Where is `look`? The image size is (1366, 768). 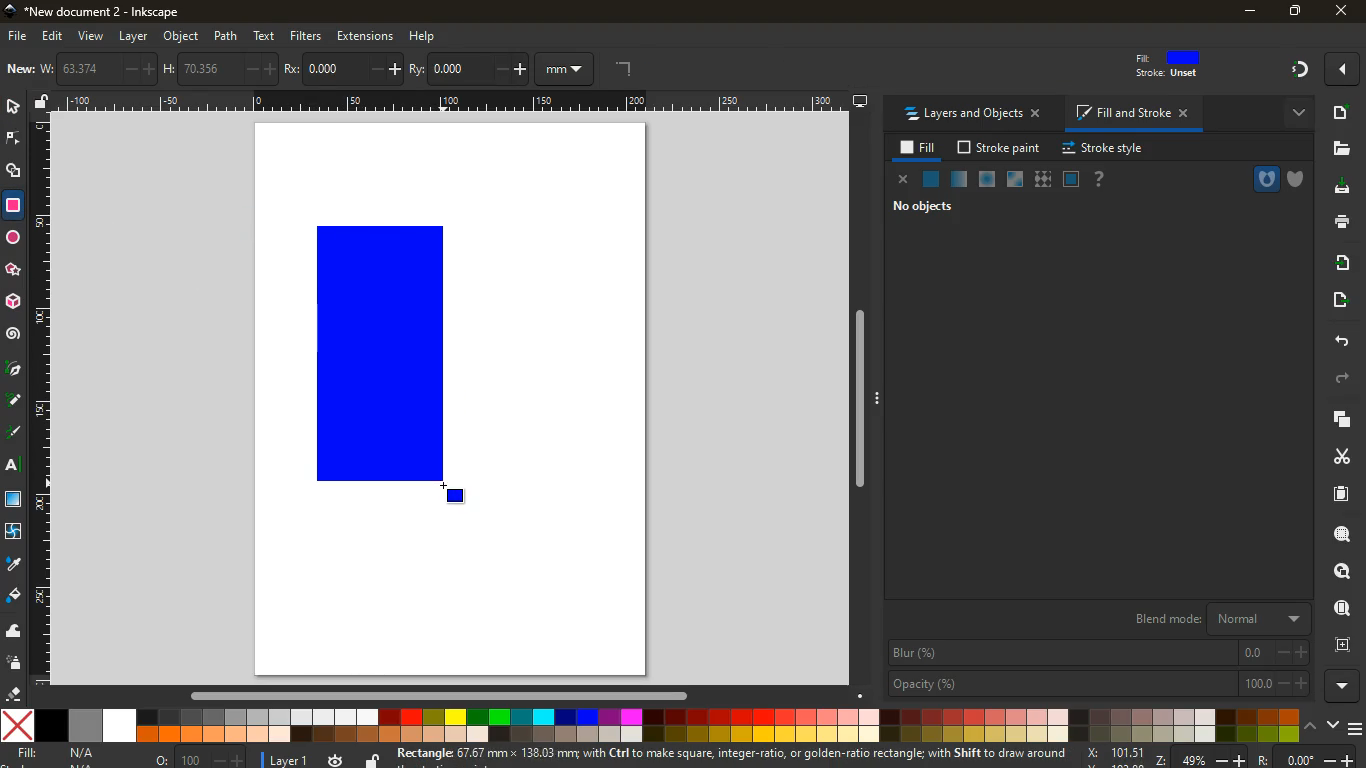 look is located at coordinates (1342, 570).